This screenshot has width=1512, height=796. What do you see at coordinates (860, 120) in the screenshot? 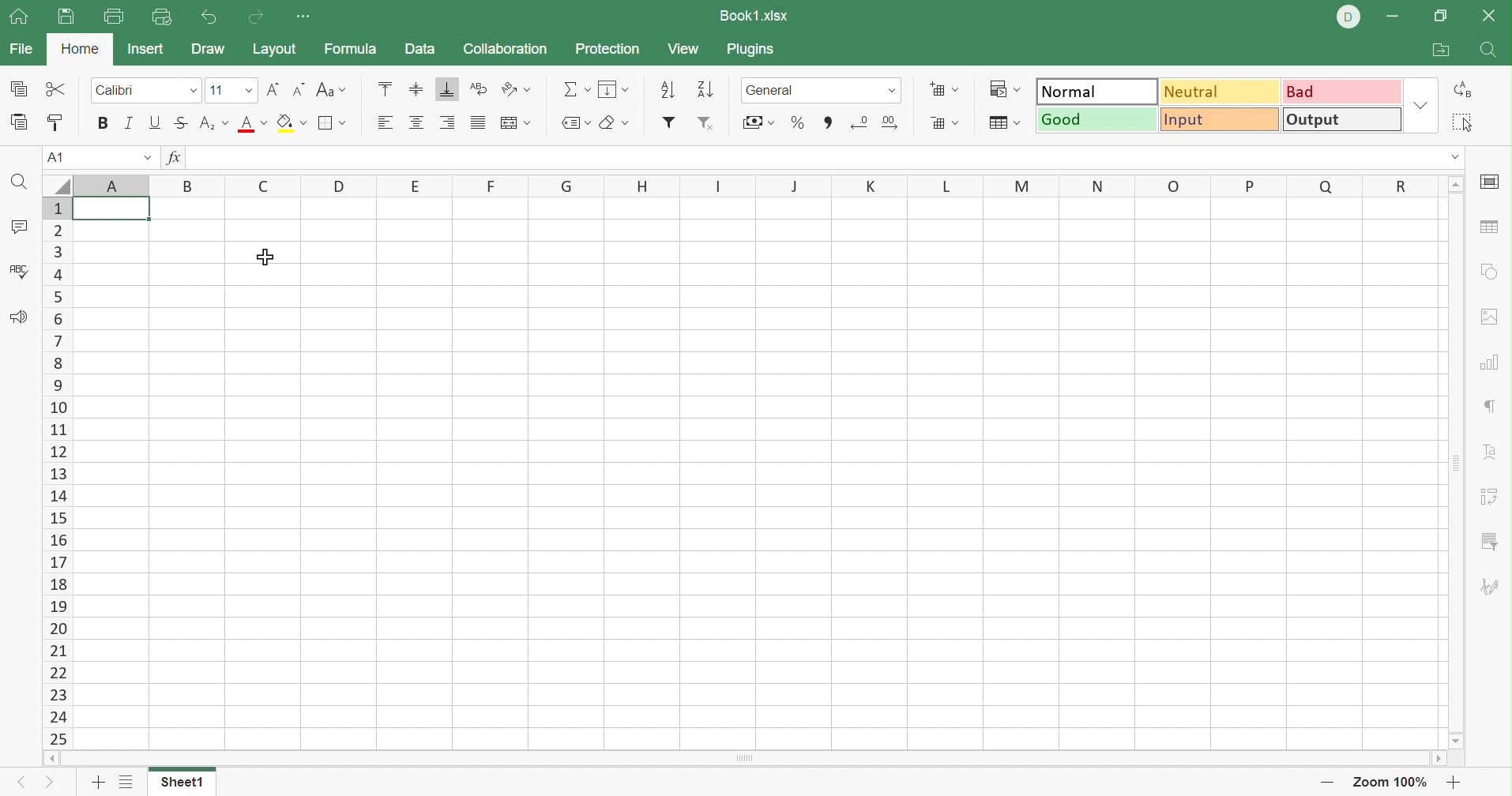
I see `Decrease decimal` at bounding box center [860, 120].